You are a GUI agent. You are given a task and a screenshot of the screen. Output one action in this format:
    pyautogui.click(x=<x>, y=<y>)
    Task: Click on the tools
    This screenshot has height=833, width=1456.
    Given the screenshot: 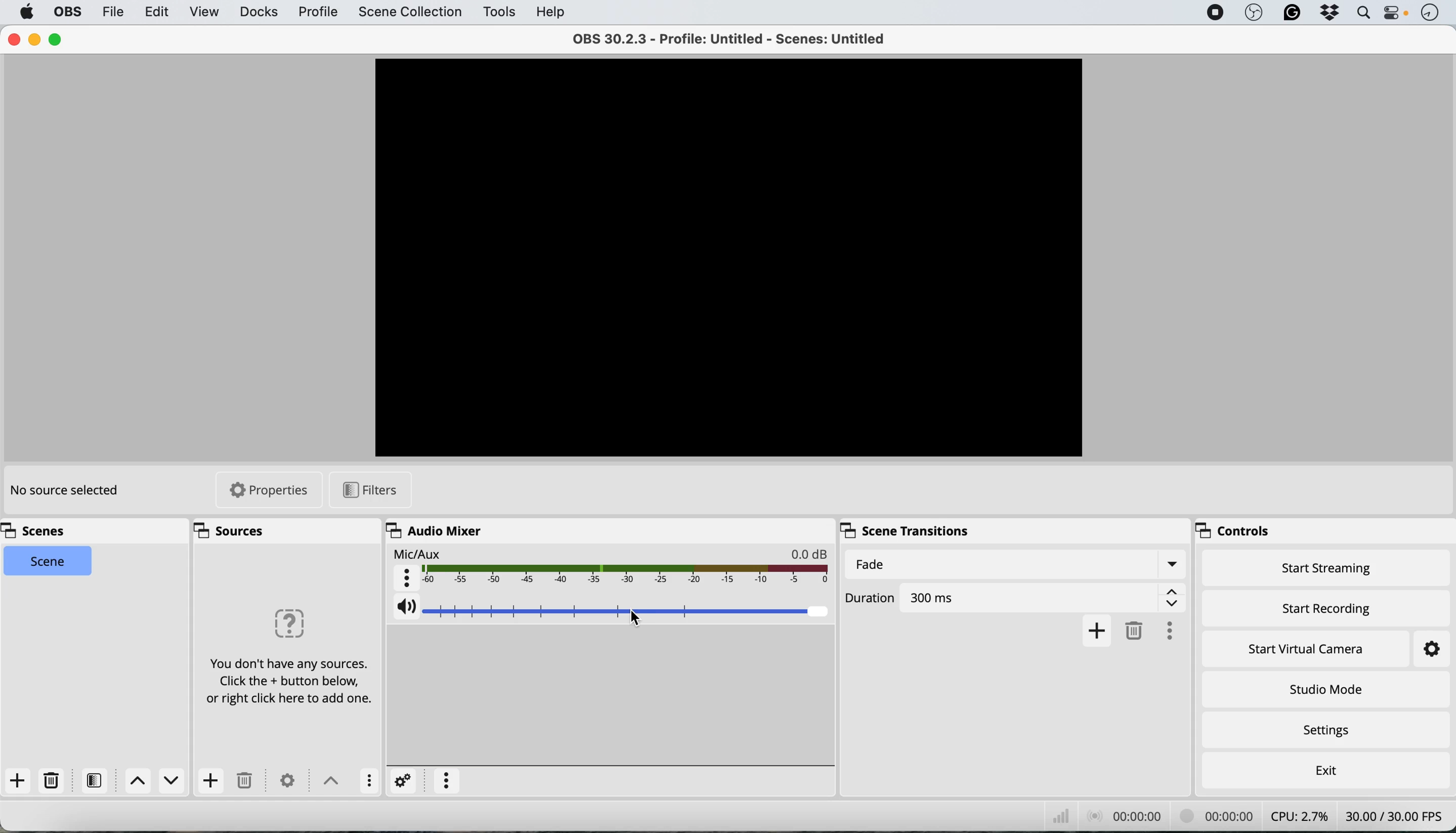 What is the action you would take?
    pyautogui.click(x=496, y=12)
    